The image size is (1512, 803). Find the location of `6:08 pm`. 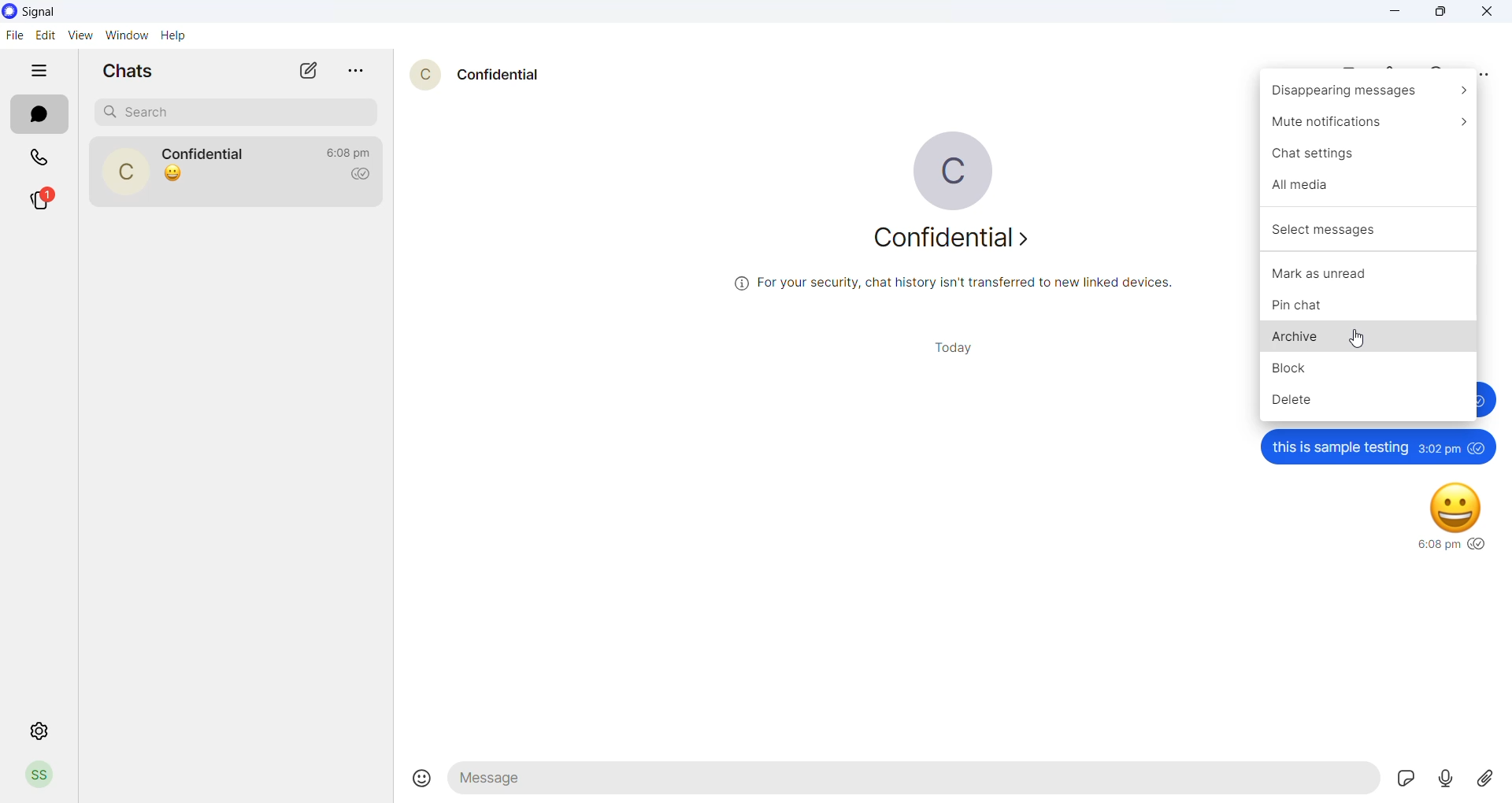

6:08 pm is located at coordinates (1437, 546).